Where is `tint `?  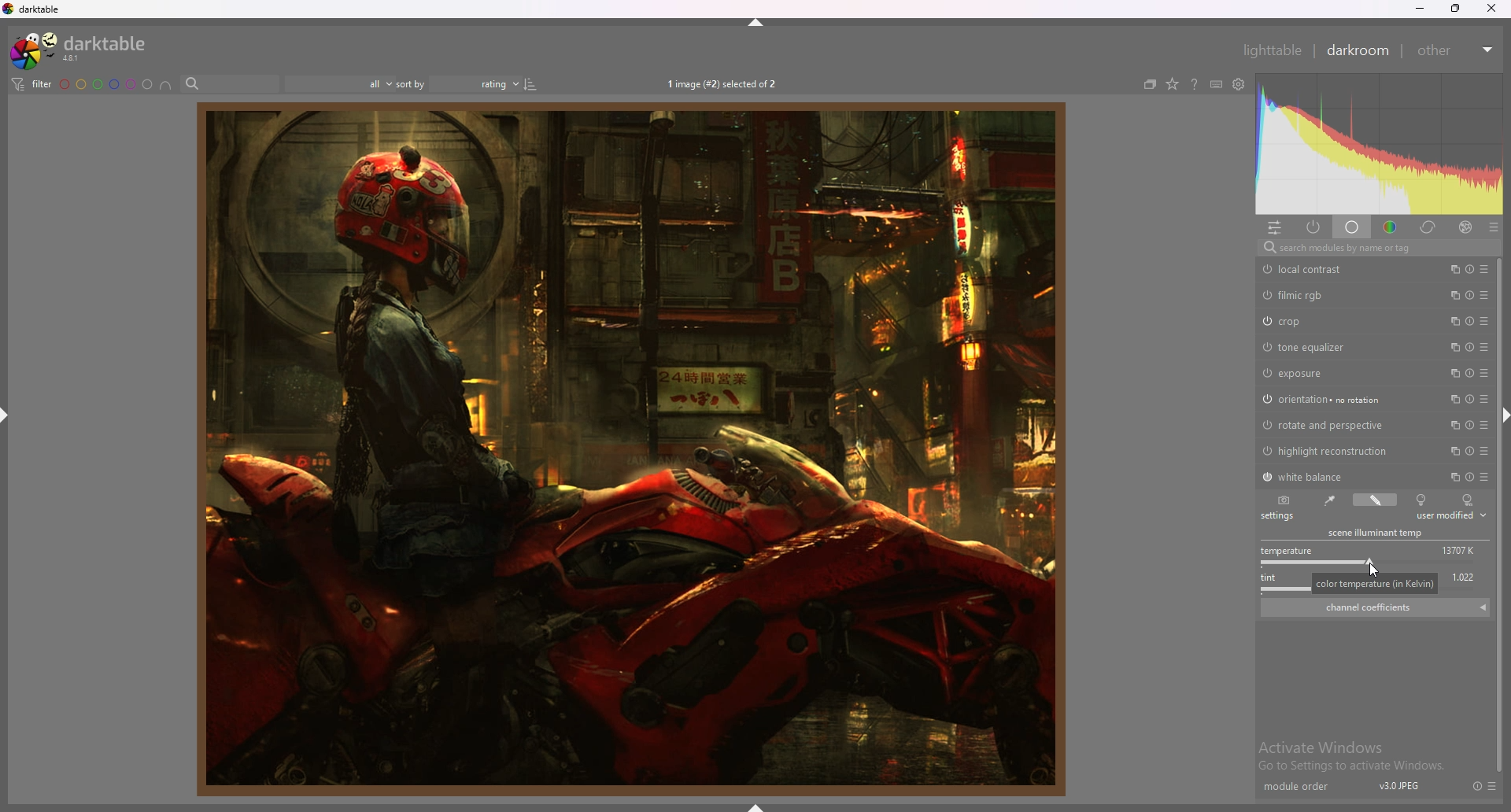
tint  is located at coordinates (1276, 581).